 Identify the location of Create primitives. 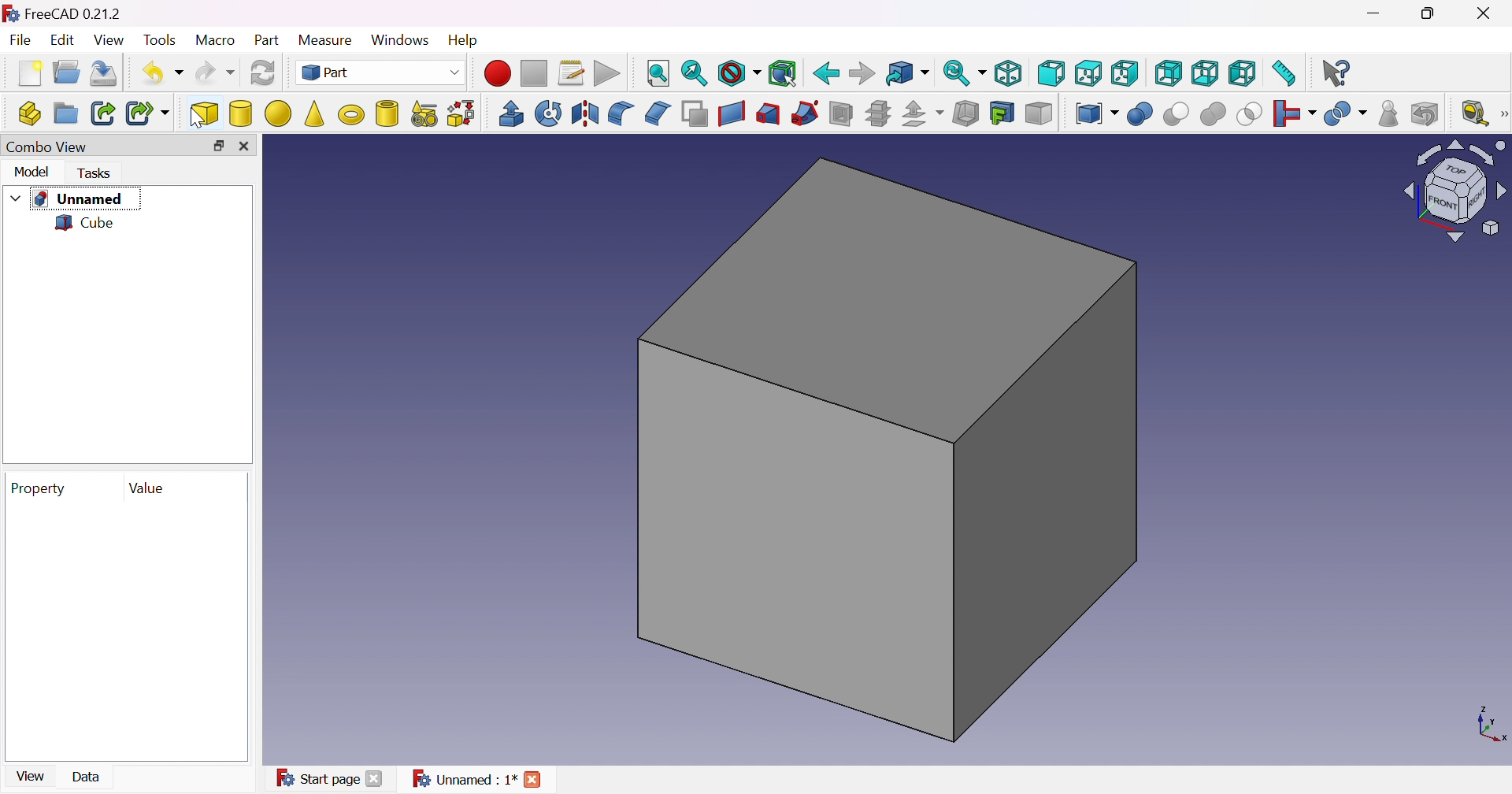
(423, 113).